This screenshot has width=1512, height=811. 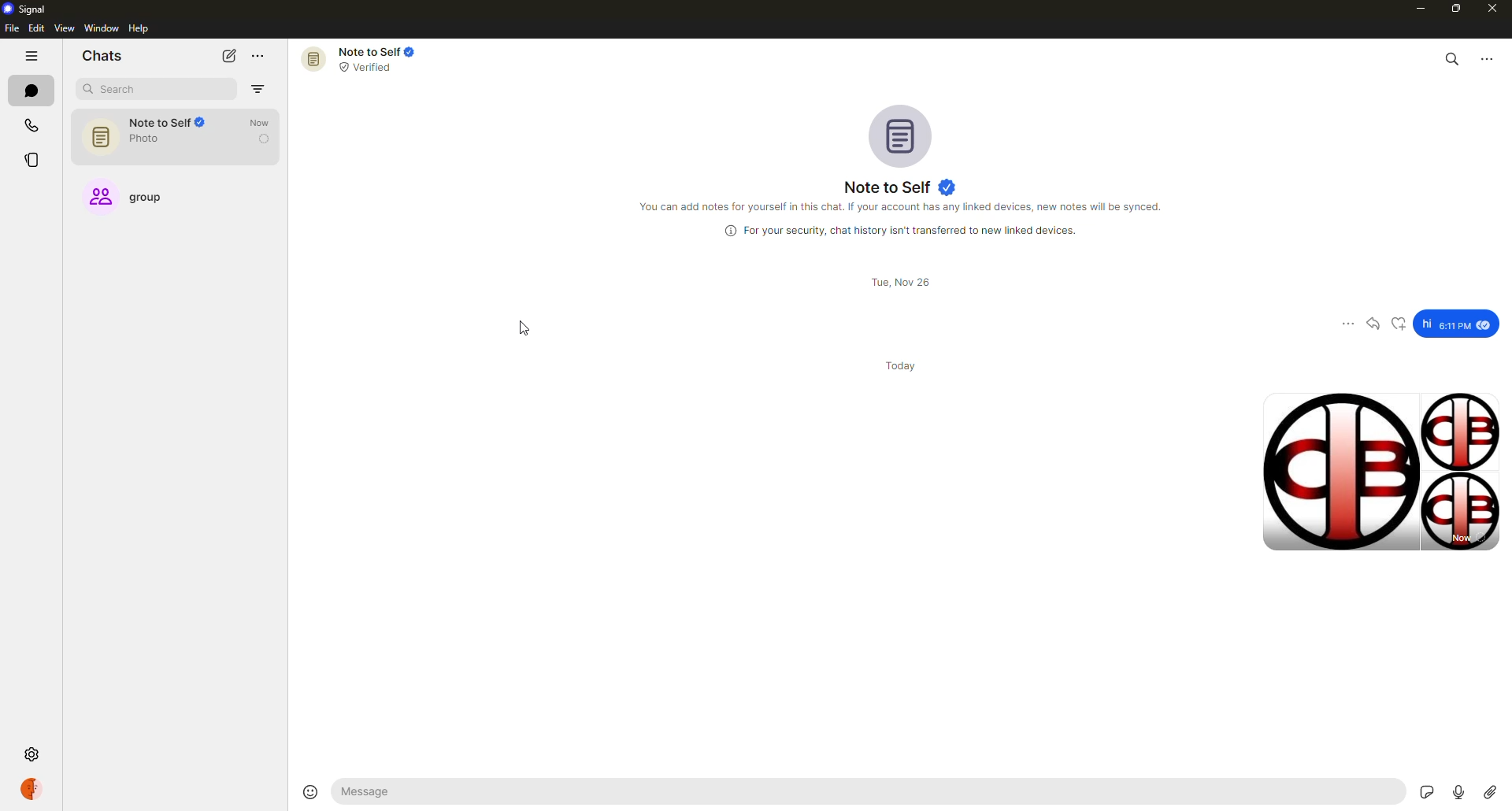 I want to click on chats, so click(x=30, y=92).